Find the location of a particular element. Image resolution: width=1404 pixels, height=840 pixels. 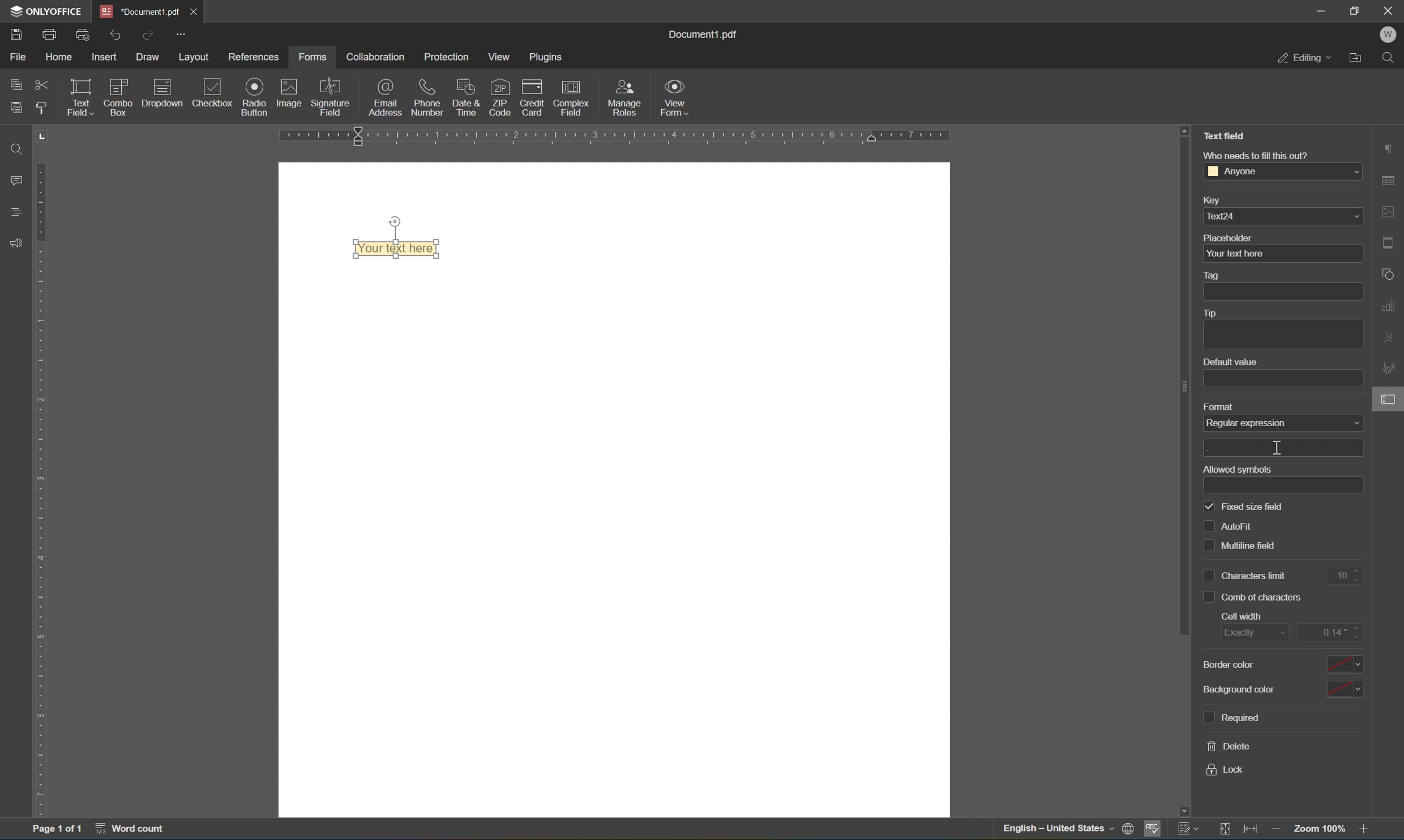

ruler is located at coordinates (44, 488).